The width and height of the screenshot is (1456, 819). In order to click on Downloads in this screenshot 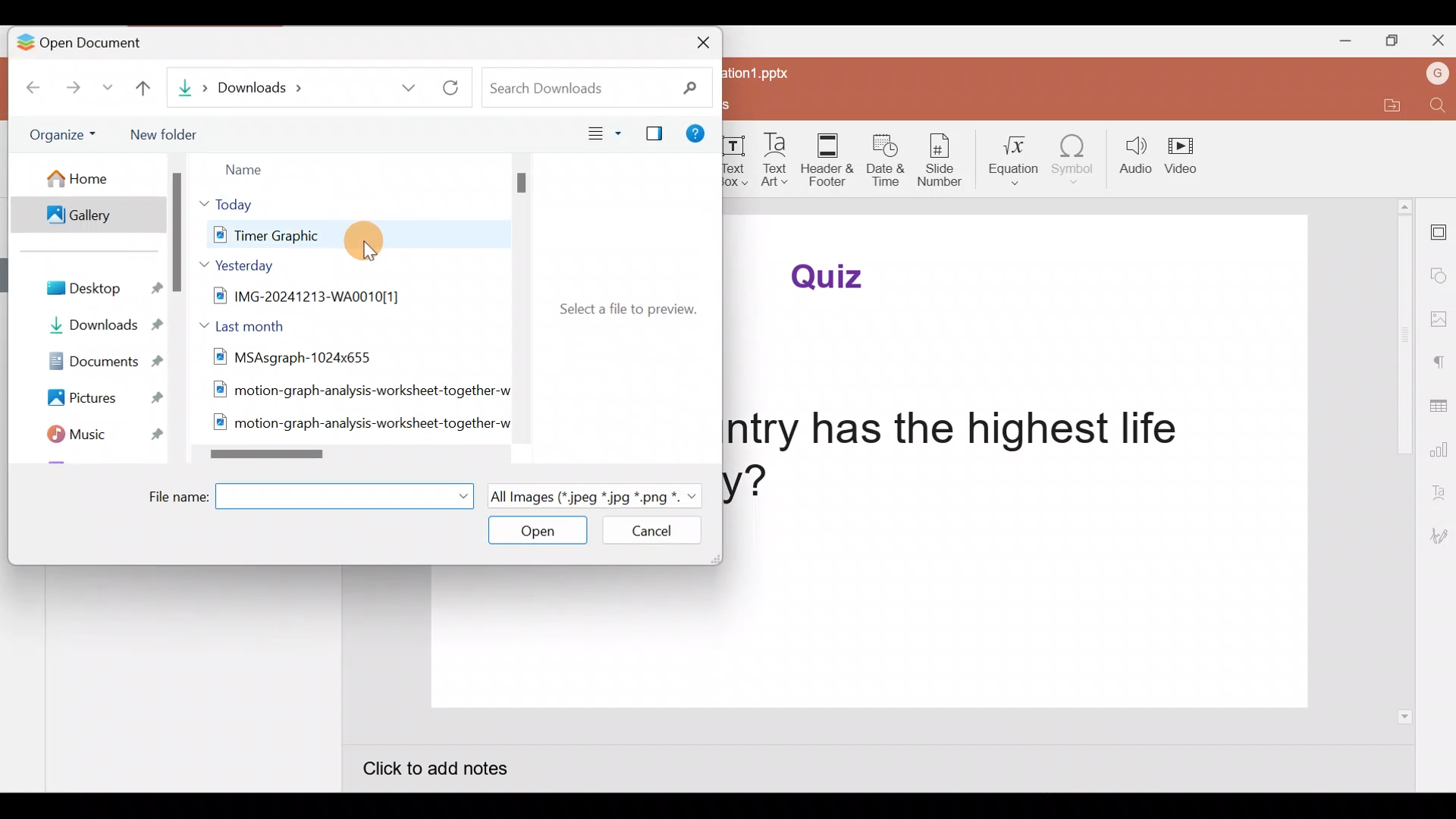, I will do `click(97, 325)`.